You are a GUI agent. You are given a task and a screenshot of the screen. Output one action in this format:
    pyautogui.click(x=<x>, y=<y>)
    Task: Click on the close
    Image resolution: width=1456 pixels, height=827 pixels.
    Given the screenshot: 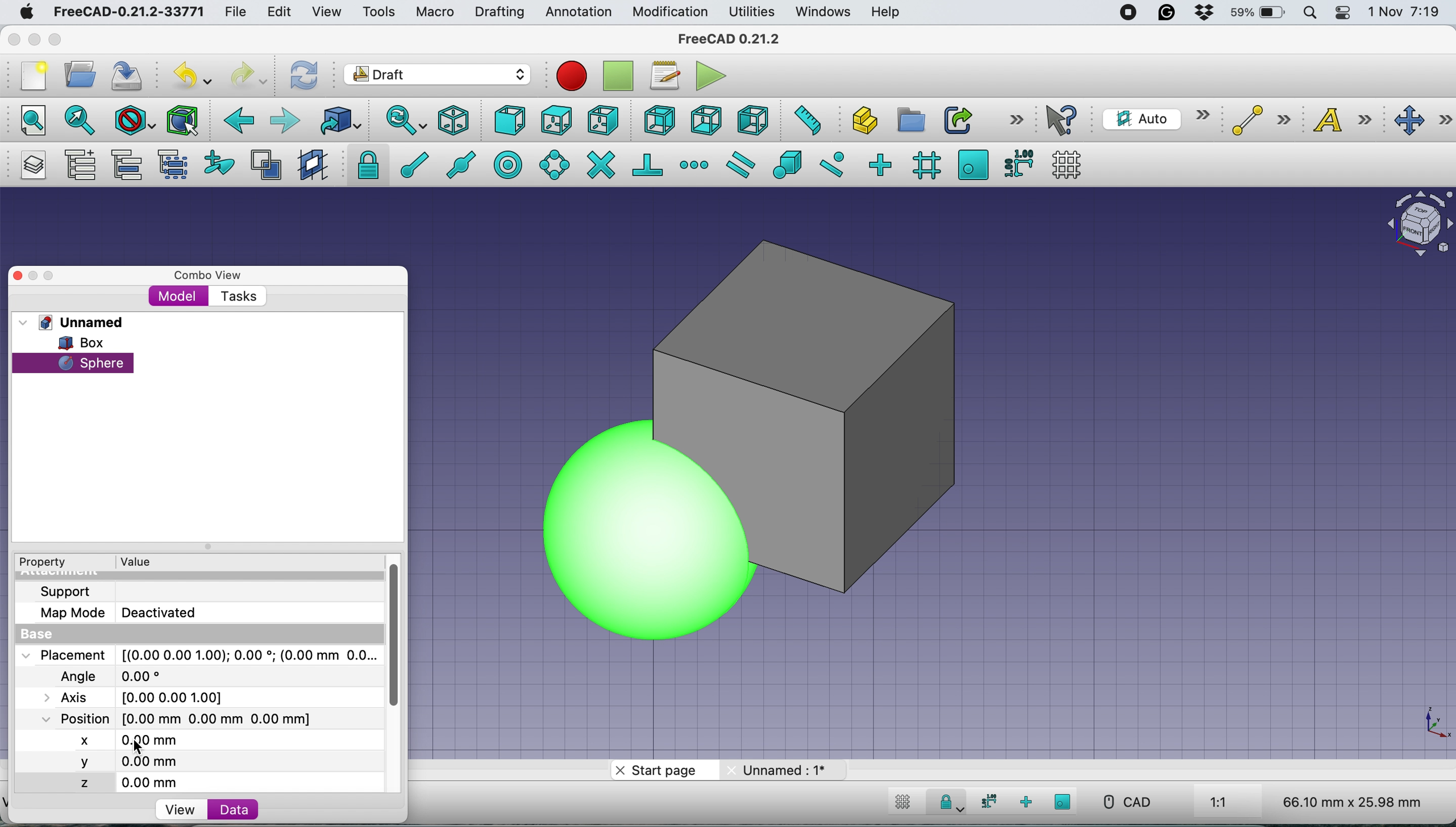 What is the action you would take?
    pyautogui.click(x=14, y=36)
    